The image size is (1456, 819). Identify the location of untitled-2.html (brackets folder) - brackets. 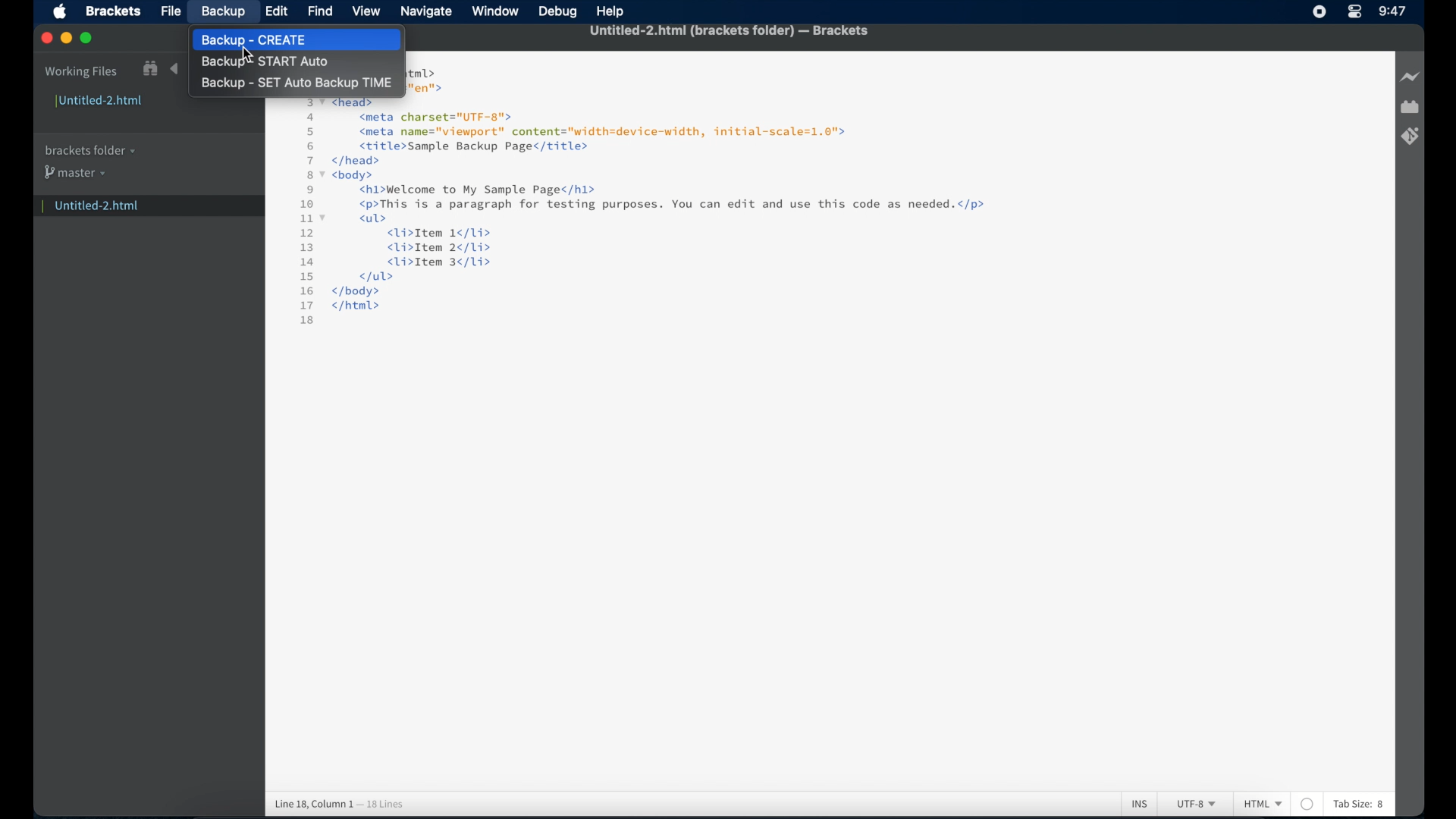
(729, 31).